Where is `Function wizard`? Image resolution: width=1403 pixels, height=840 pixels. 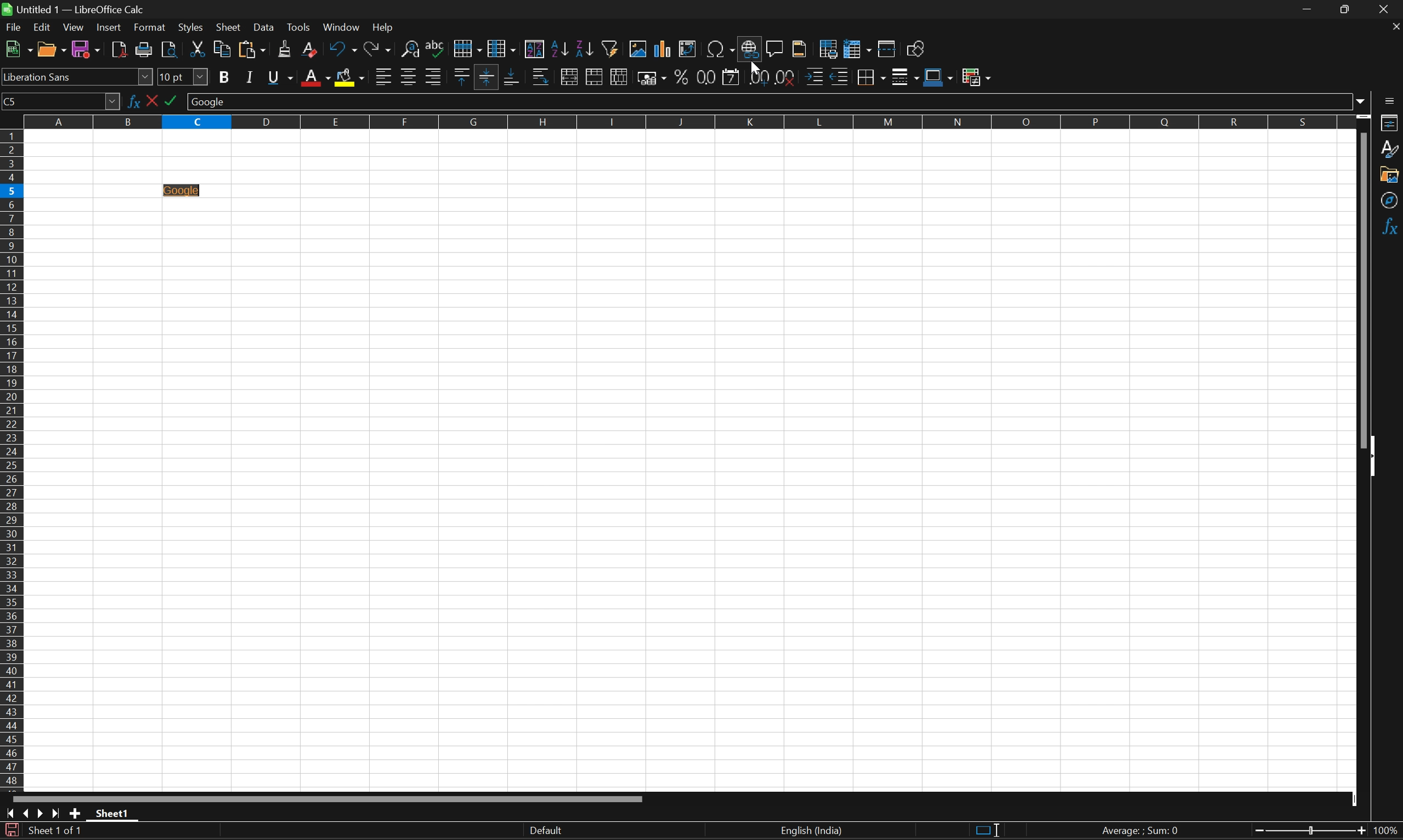 Function wizard is located at coordinates (136, 101).